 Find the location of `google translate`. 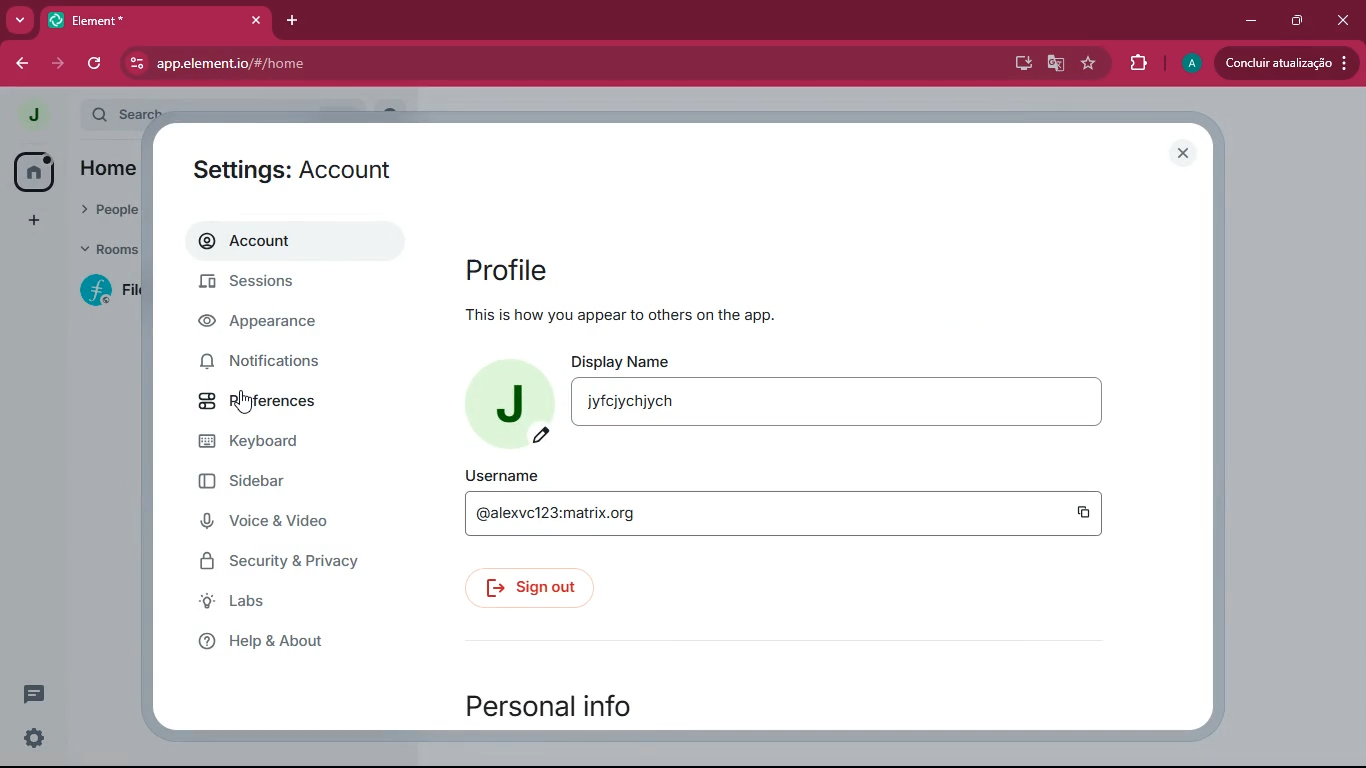

google translate is located at coordinates (1056, 63).